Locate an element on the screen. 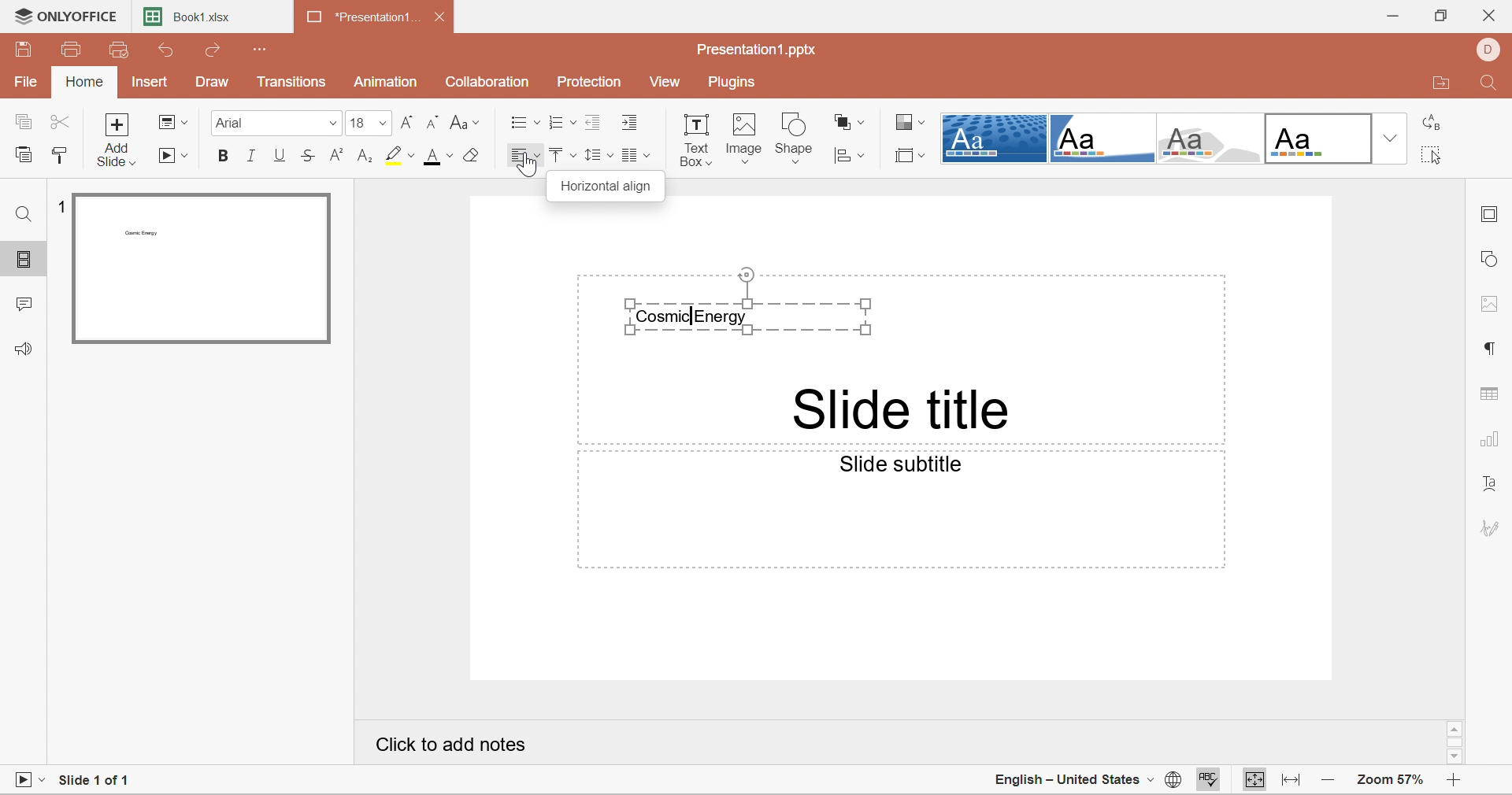 The height and width of the screenshot is (795, 1512). Home is located at coordinates (86, 83).